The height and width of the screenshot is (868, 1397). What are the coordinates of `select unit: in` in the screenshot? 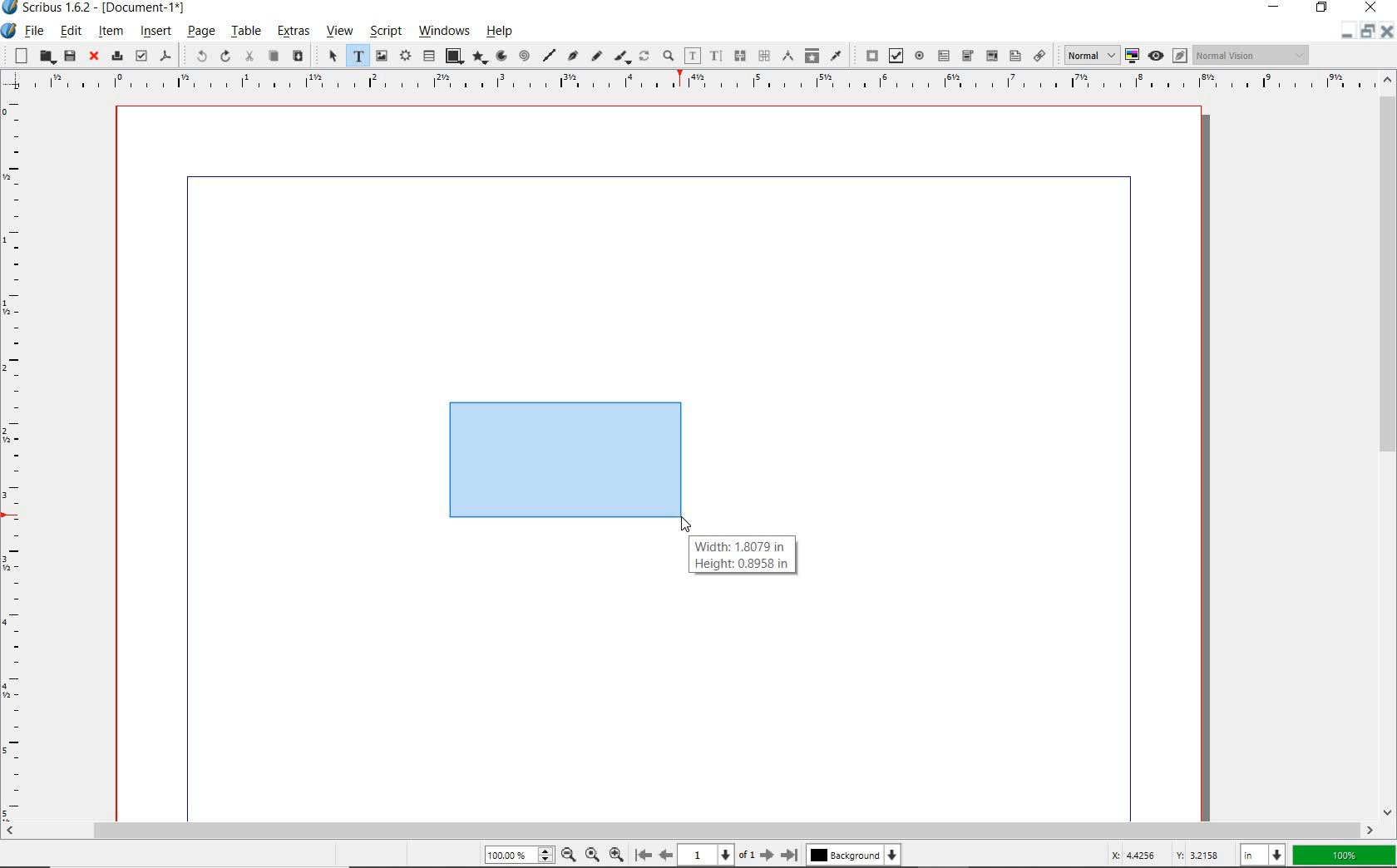 It's located at (1263, 856).